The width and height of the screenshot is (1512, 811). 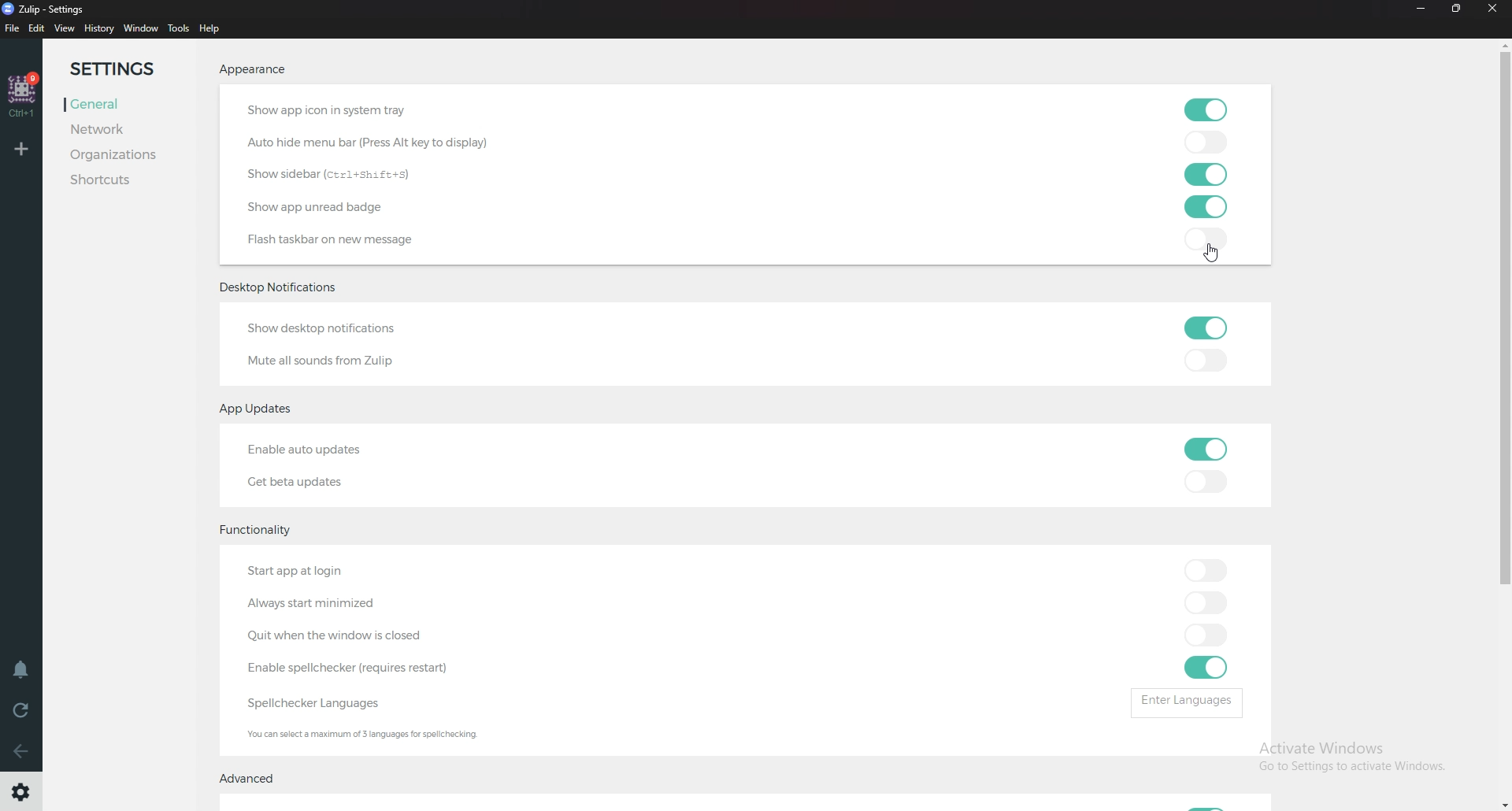 What do you see at coordinates (1203, 364) in the screenshot?
I see `toggle` at bounding box center [1203, 364].